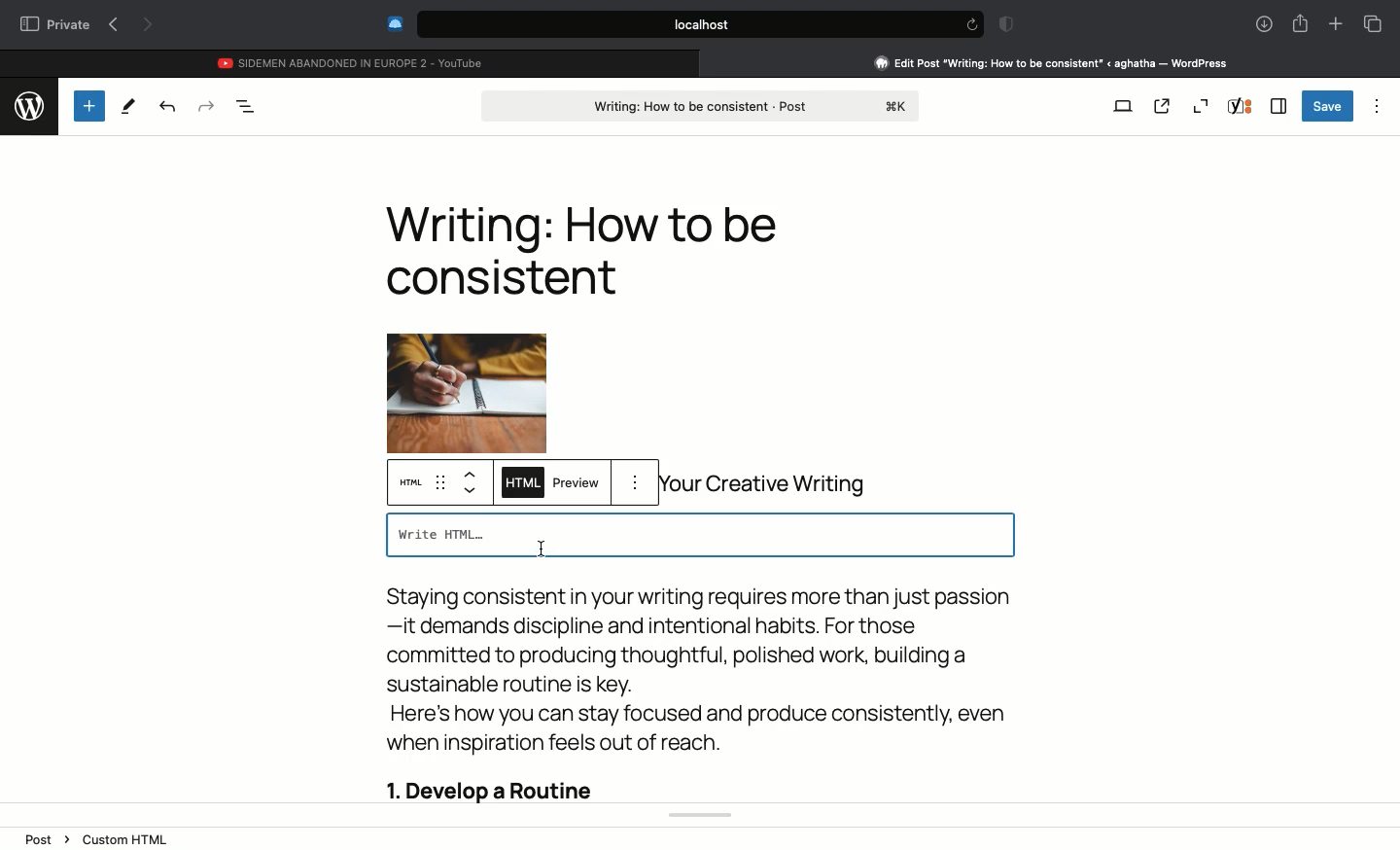 Image resolution: width=1400 pixels, height=850 pixels. I want to click on close, so click(709, 62).